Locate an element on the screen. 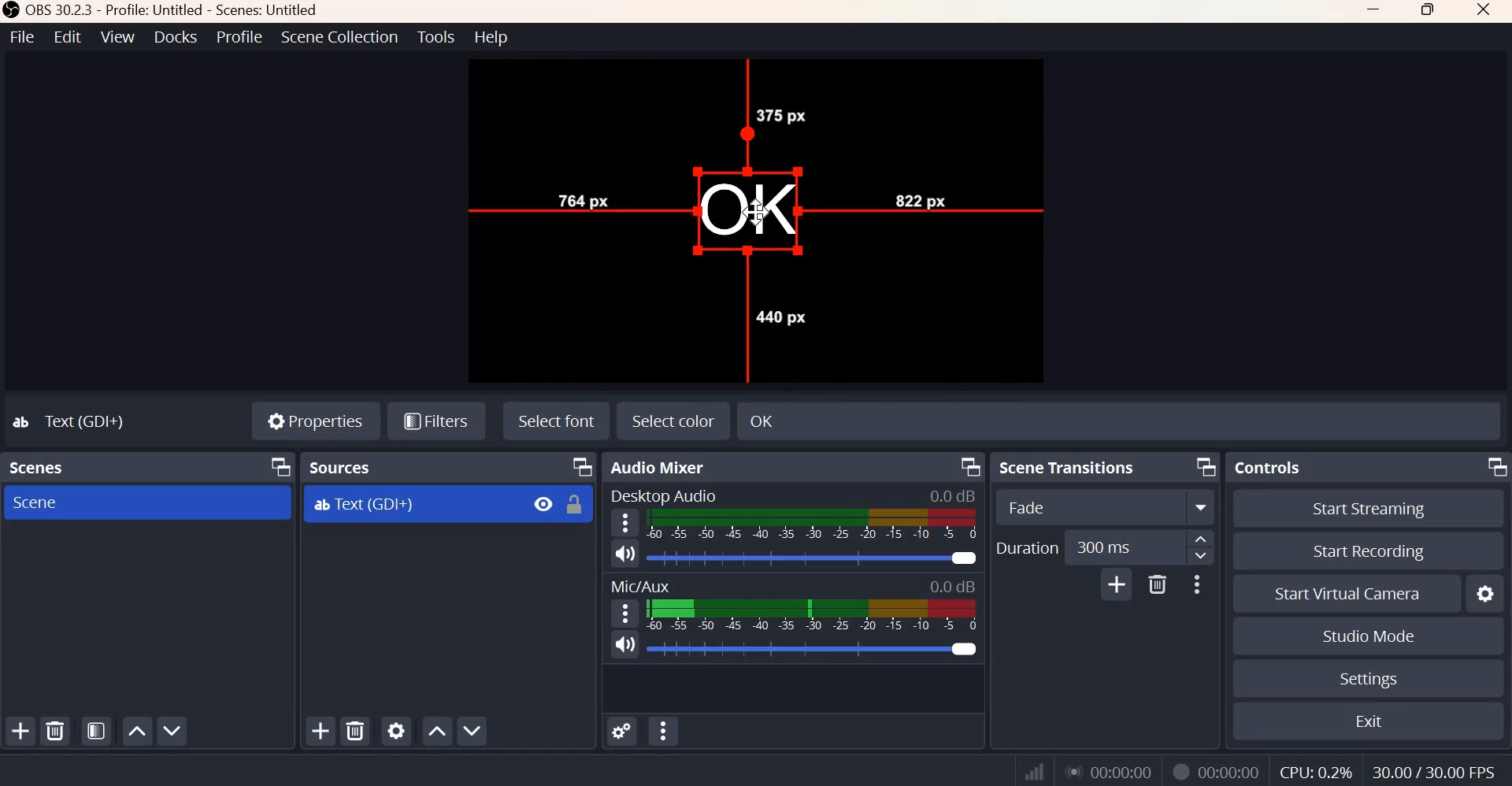 This screenshot has height=786, width=1512. configure virtual camera is located at coordinates (1484, 593).